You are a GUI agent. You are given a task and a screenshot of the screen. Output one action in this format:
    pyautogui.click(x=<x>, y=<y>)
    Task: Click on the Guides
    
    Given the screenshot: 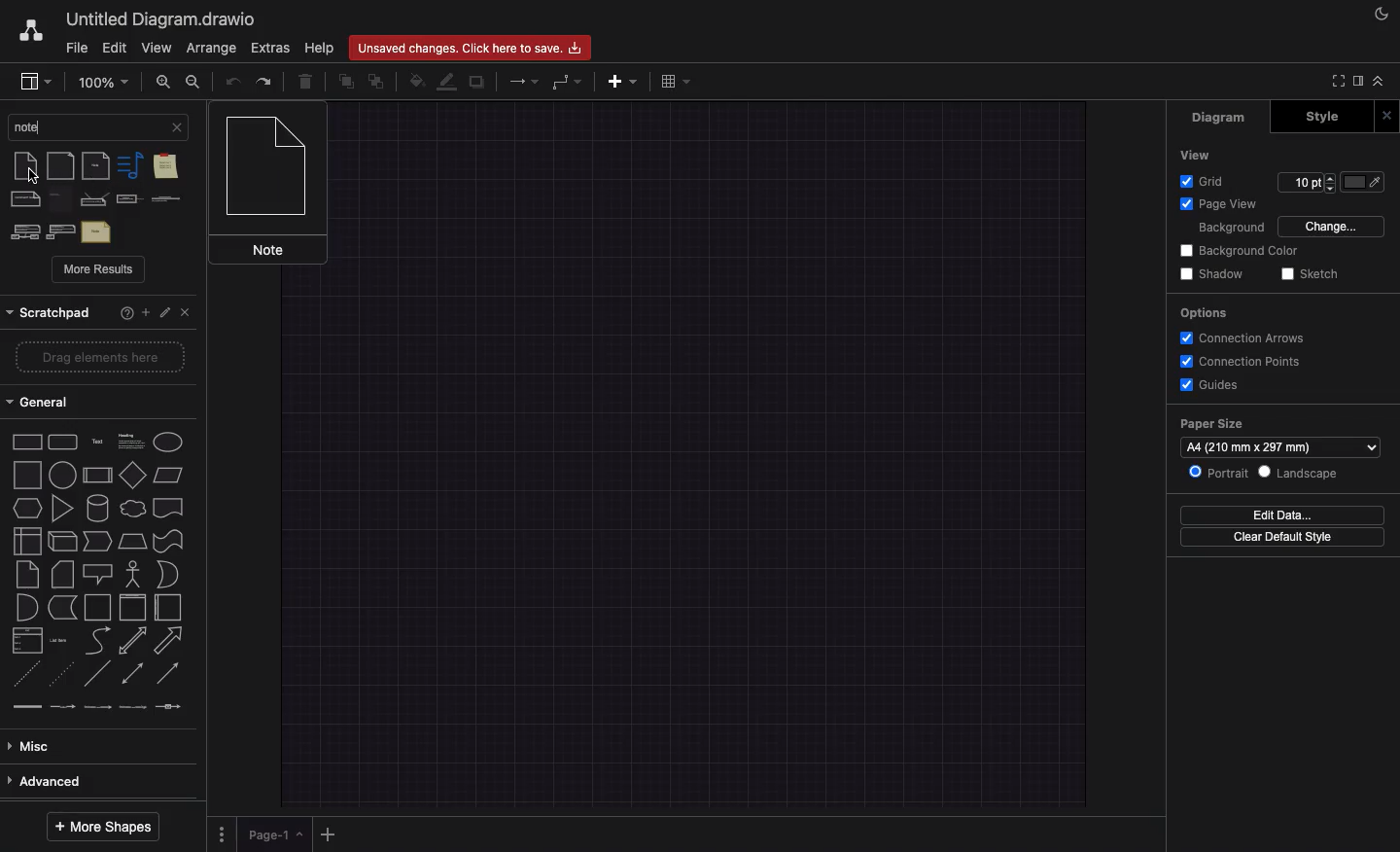 What is the action you would take?
    pyautogui.click(x=1210, y=385)
    